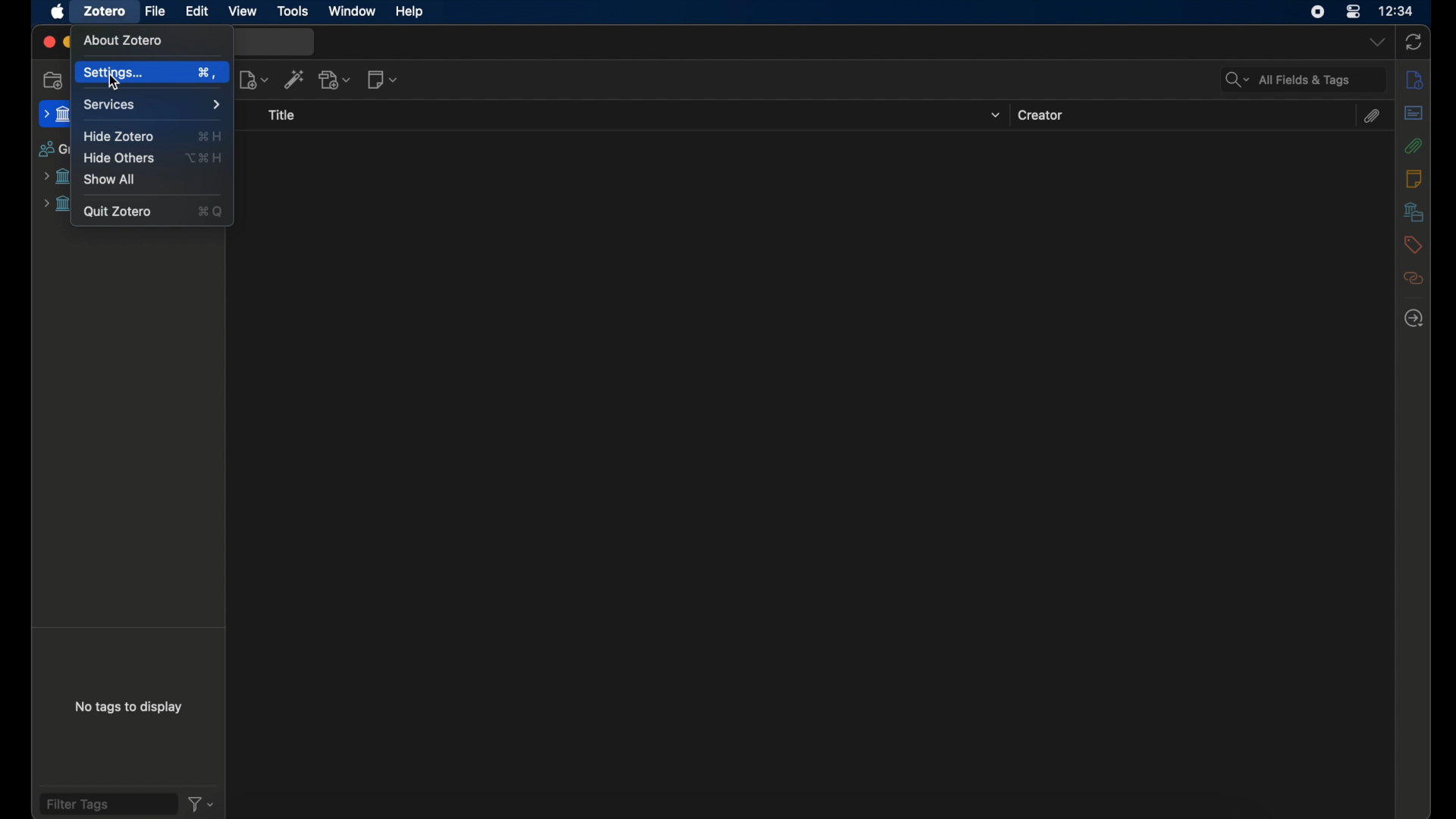  I want to click on group libraries, so click(52, 151).